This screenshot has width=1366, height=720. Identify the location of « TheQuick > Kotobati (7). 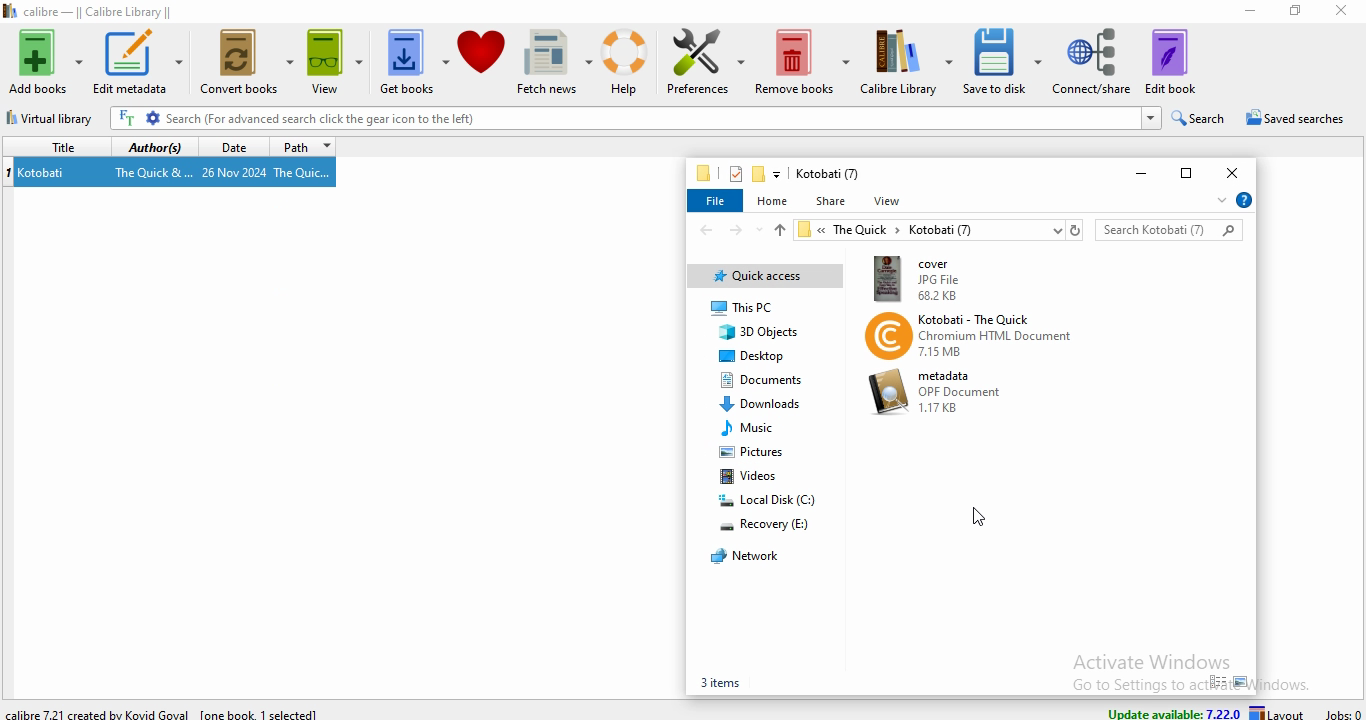
(927, 231).